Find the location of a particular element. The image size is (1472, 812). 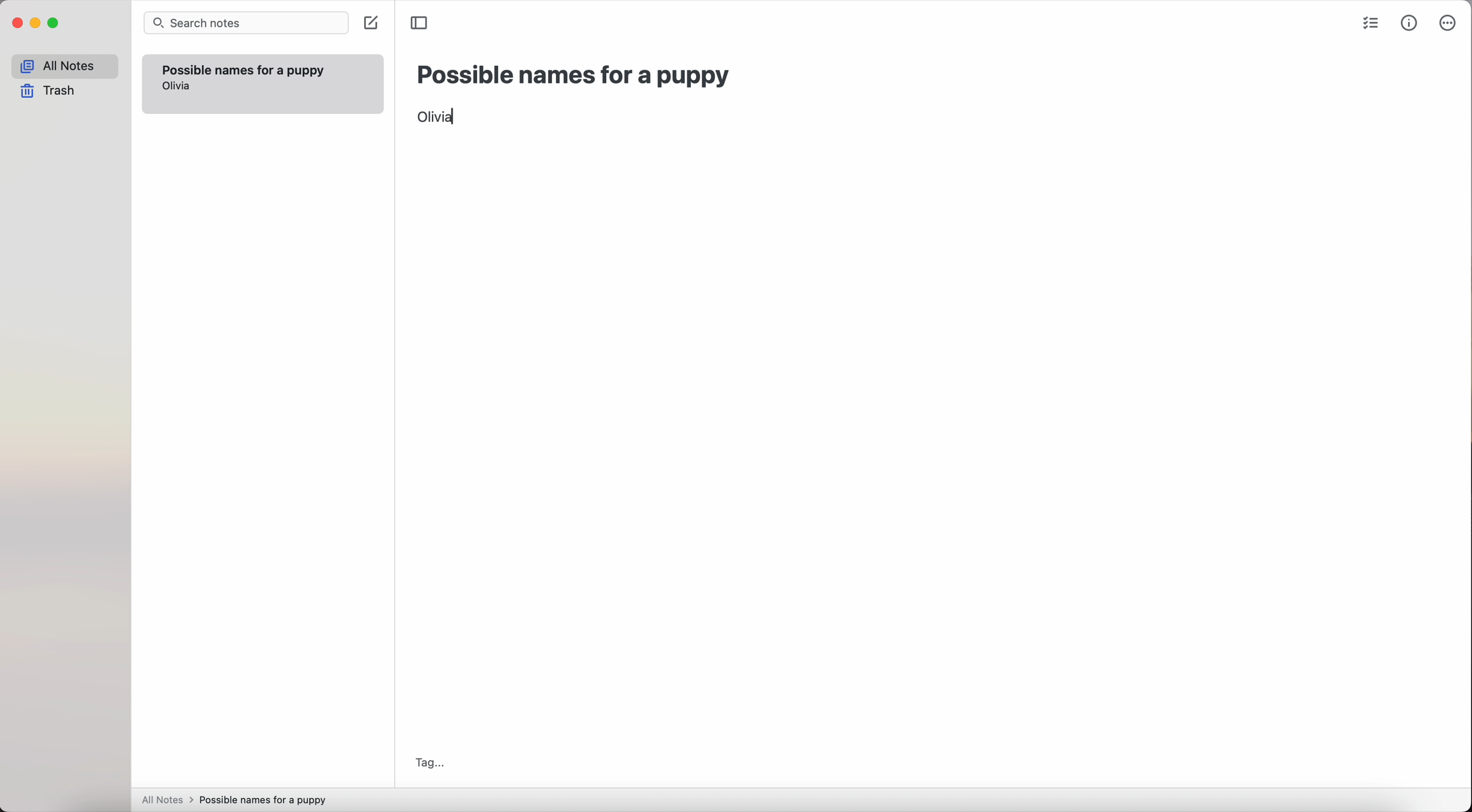

close is located at coordinates (16, 25).